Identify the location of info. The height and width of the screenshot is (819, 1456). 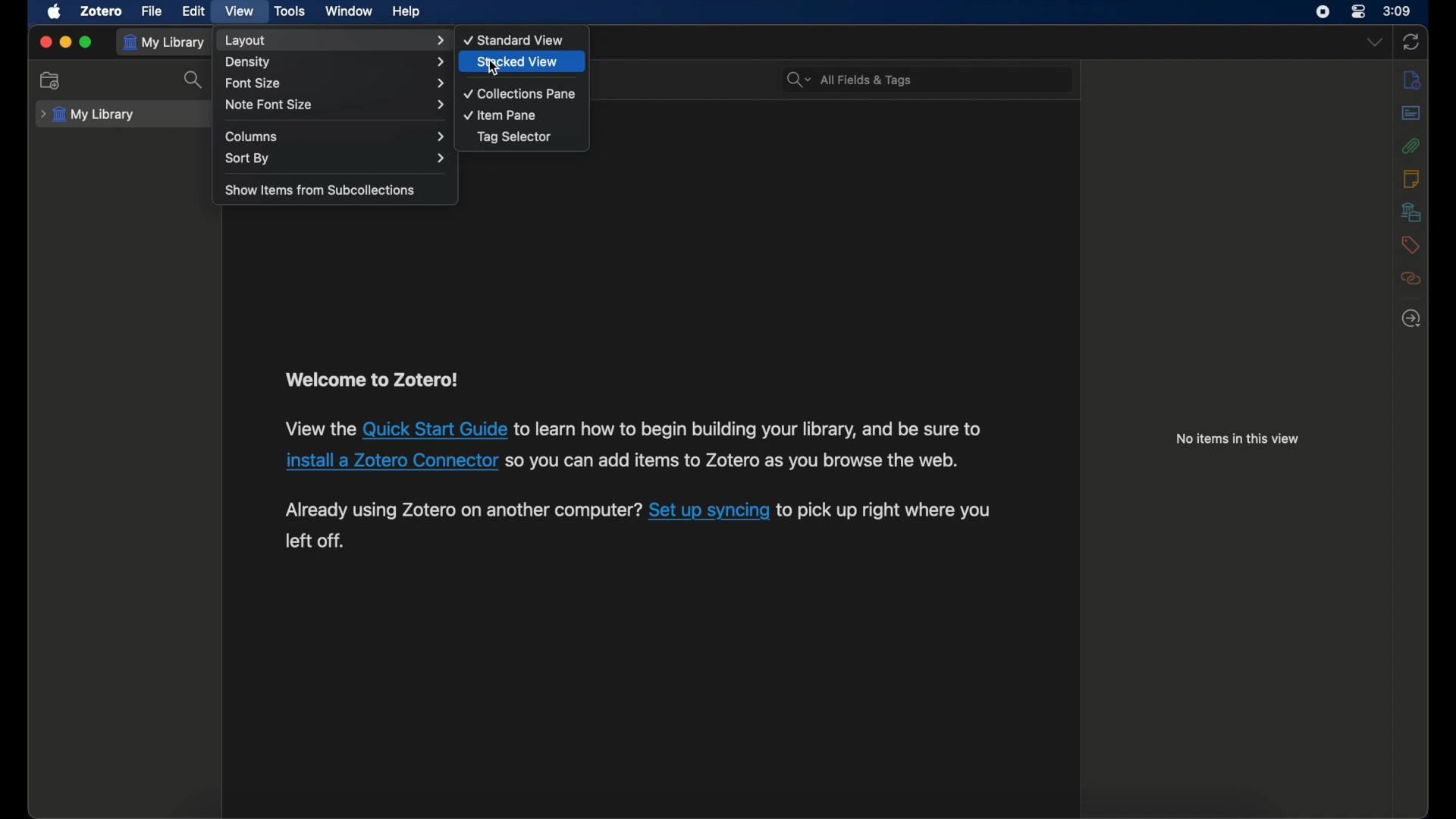
(1411, 80).